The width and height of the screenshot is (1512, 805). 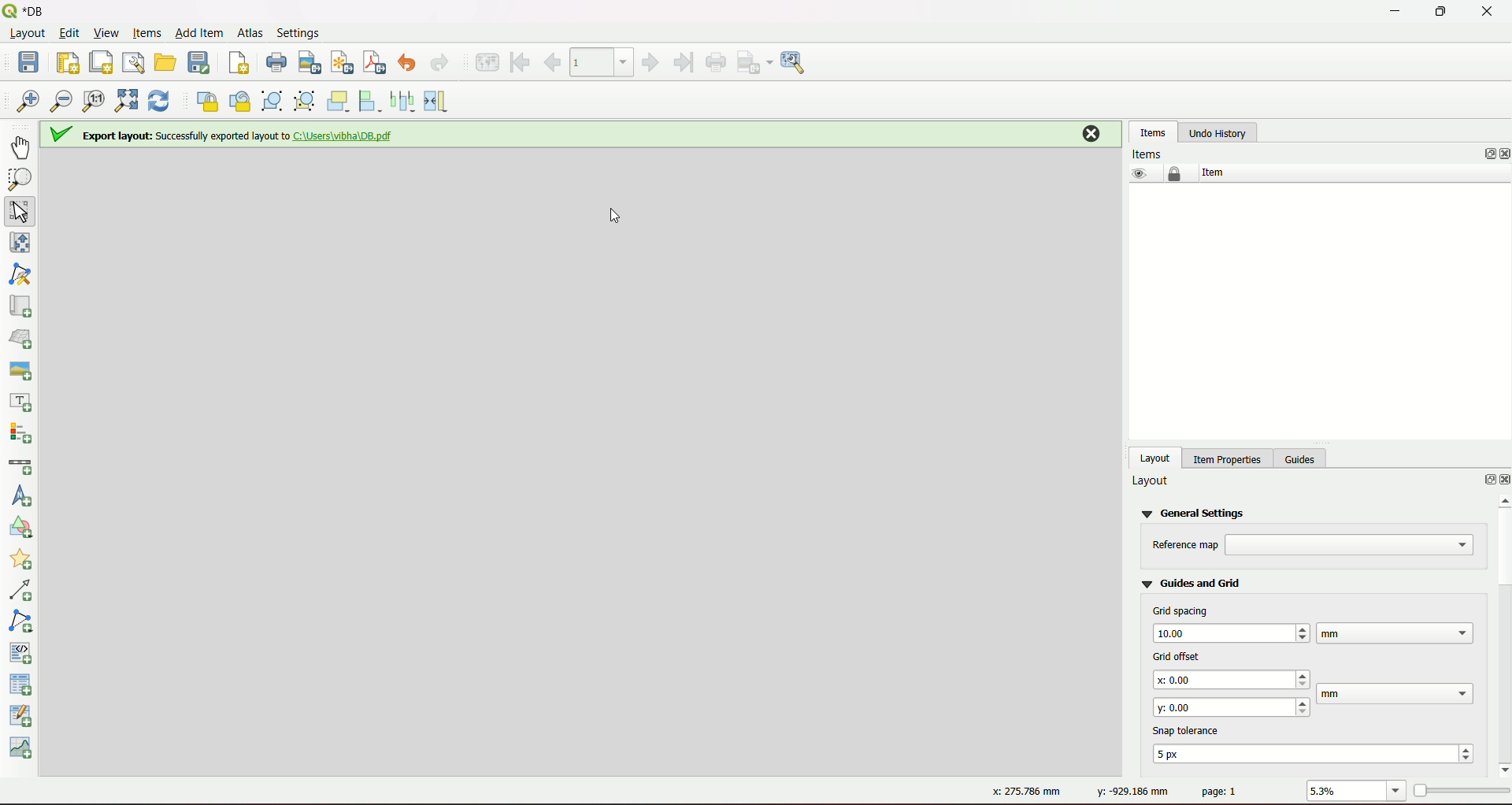 I want to click on last feature, so click(x=682, y=62).